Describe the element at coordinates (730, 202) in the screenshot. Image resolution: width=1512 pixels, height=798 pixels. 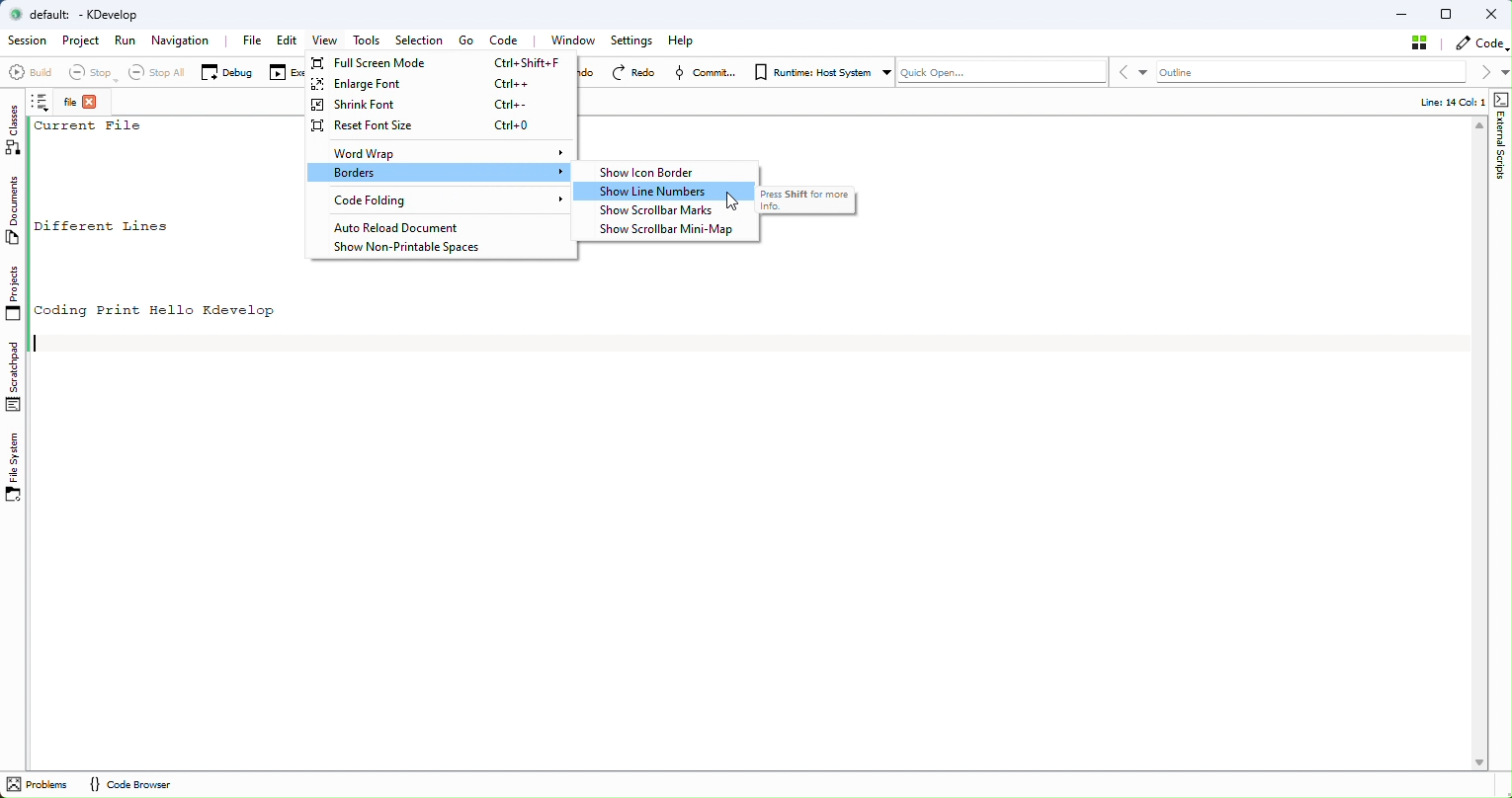
I see `Cursor` at that location.